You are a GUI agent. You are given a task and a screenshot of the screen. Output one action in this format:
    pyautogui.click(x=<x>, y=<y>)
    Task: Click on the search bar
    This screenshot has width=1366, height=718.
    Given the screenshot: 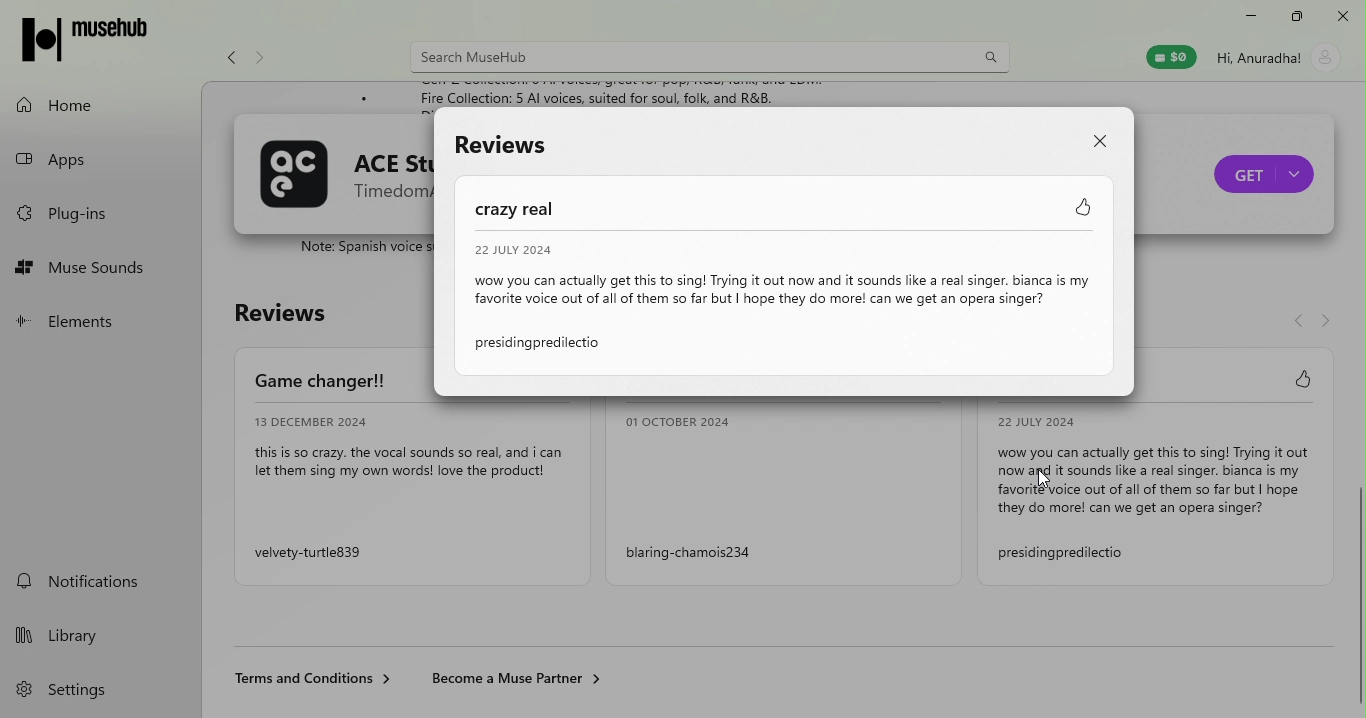 What is the action you would take?
    pyautogui.click(x=682, y=56)
    